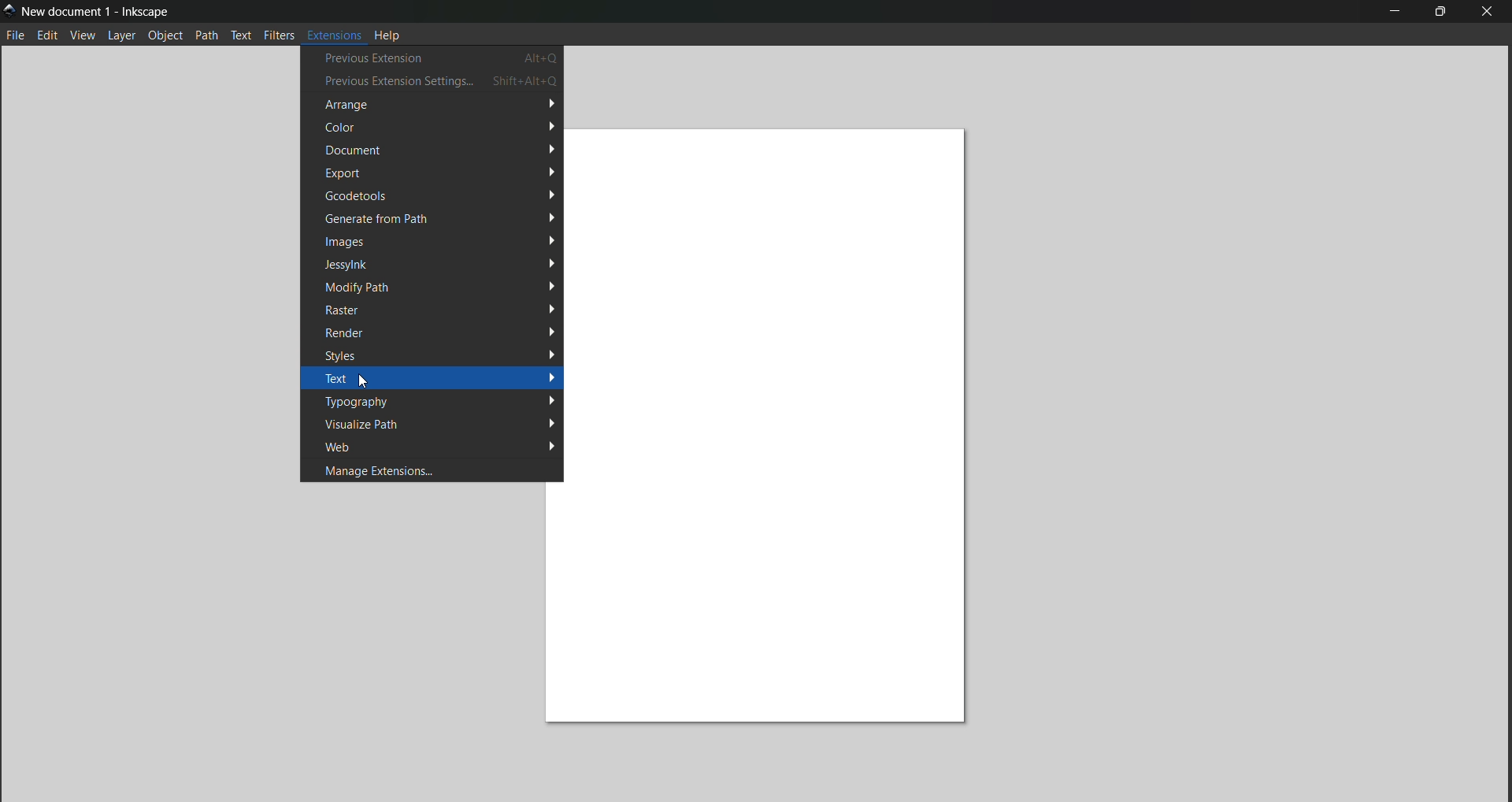  What do you see at coordinates (165, 35) in the screenshot?
I see `object` at bounding box center [165, 35].